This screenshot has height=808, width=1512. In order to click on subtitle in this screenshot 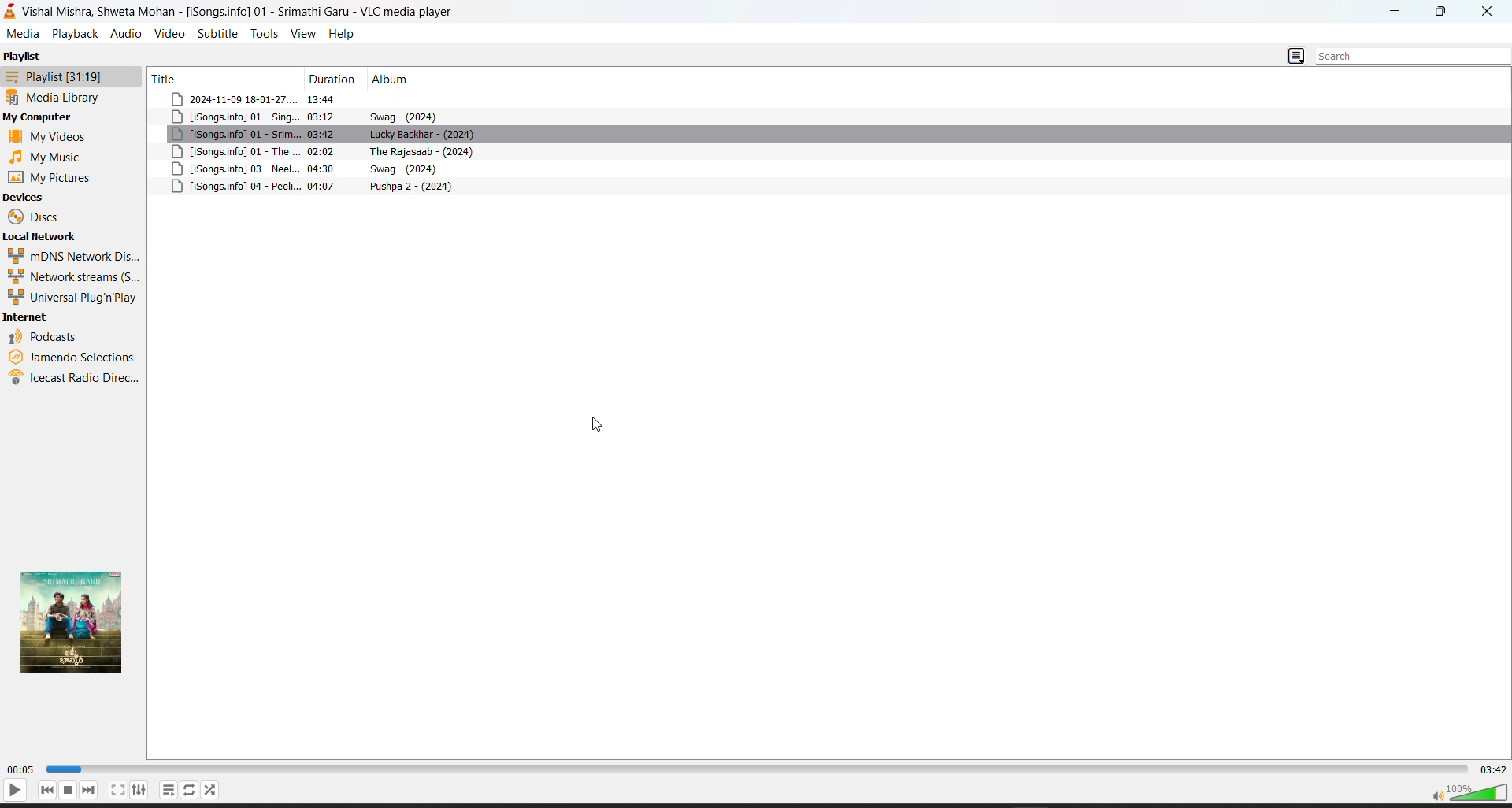, I will do `click(218, 33)`.